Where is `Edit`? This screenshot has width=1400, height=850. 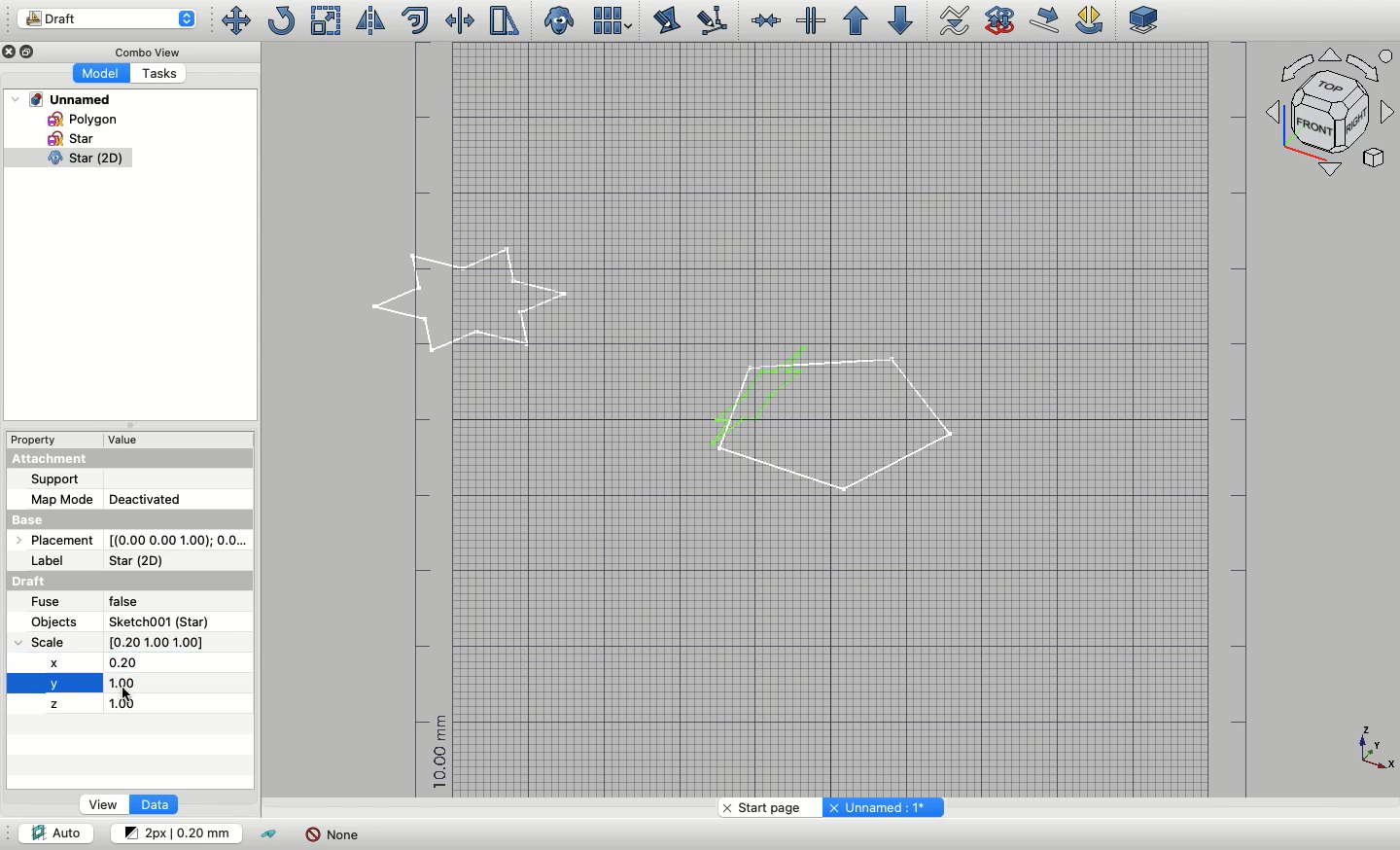
Edit is located at coordinates (667, 20).